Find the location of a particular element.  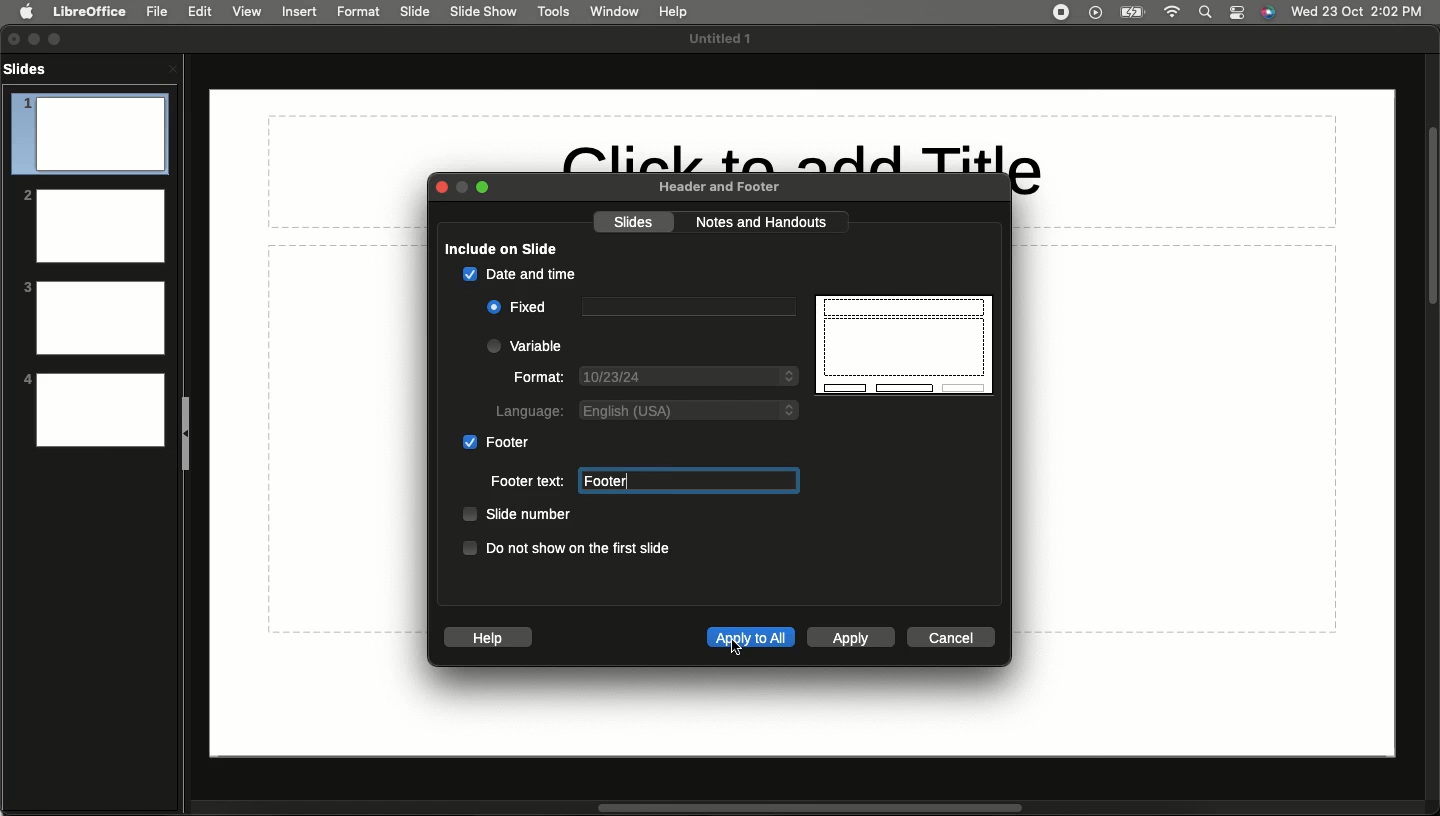

Text box is located at coordinates (685, 308).